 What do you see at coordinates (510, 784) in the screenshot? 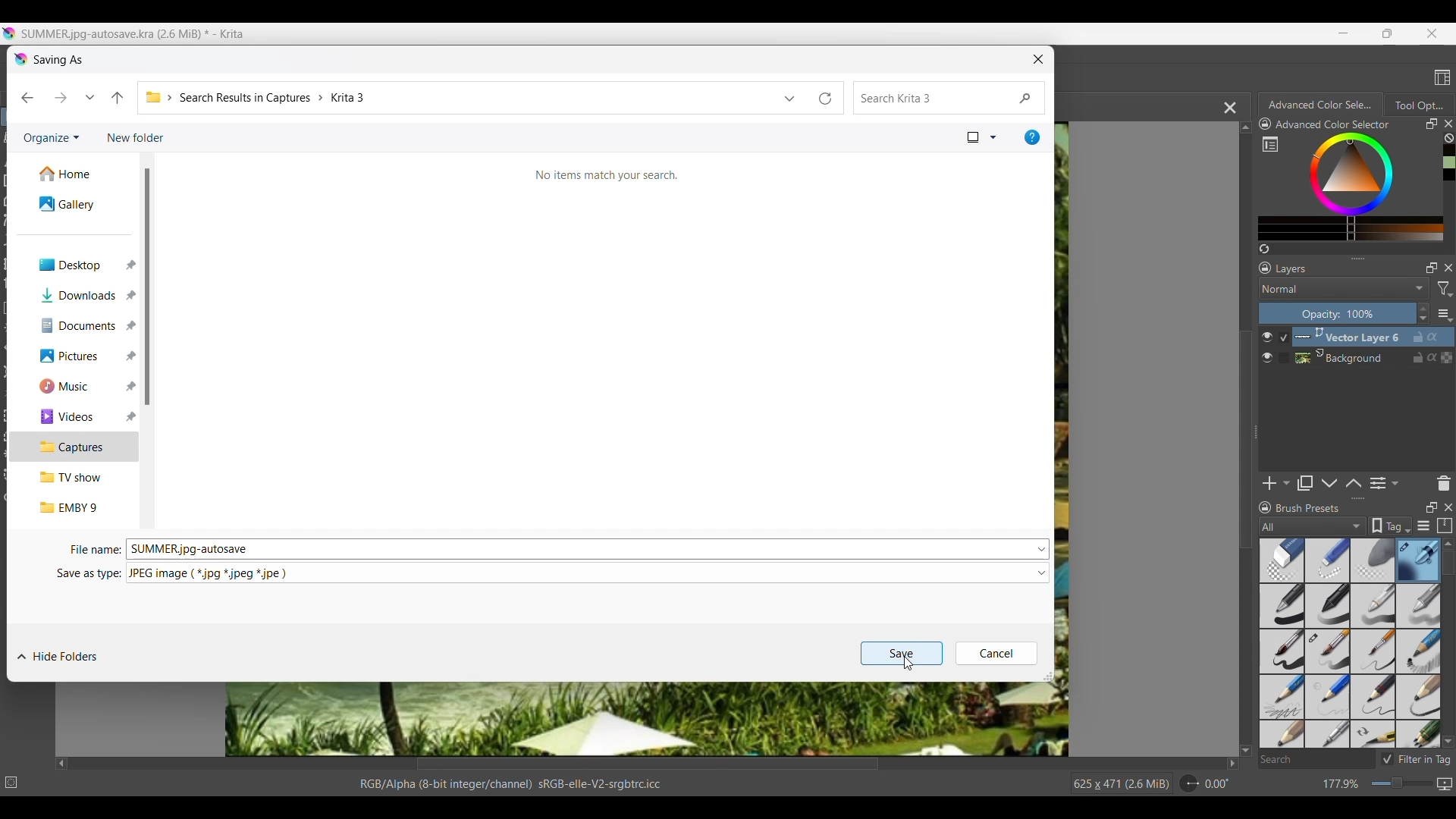
I see `File details` at bounding box center [510, 784].